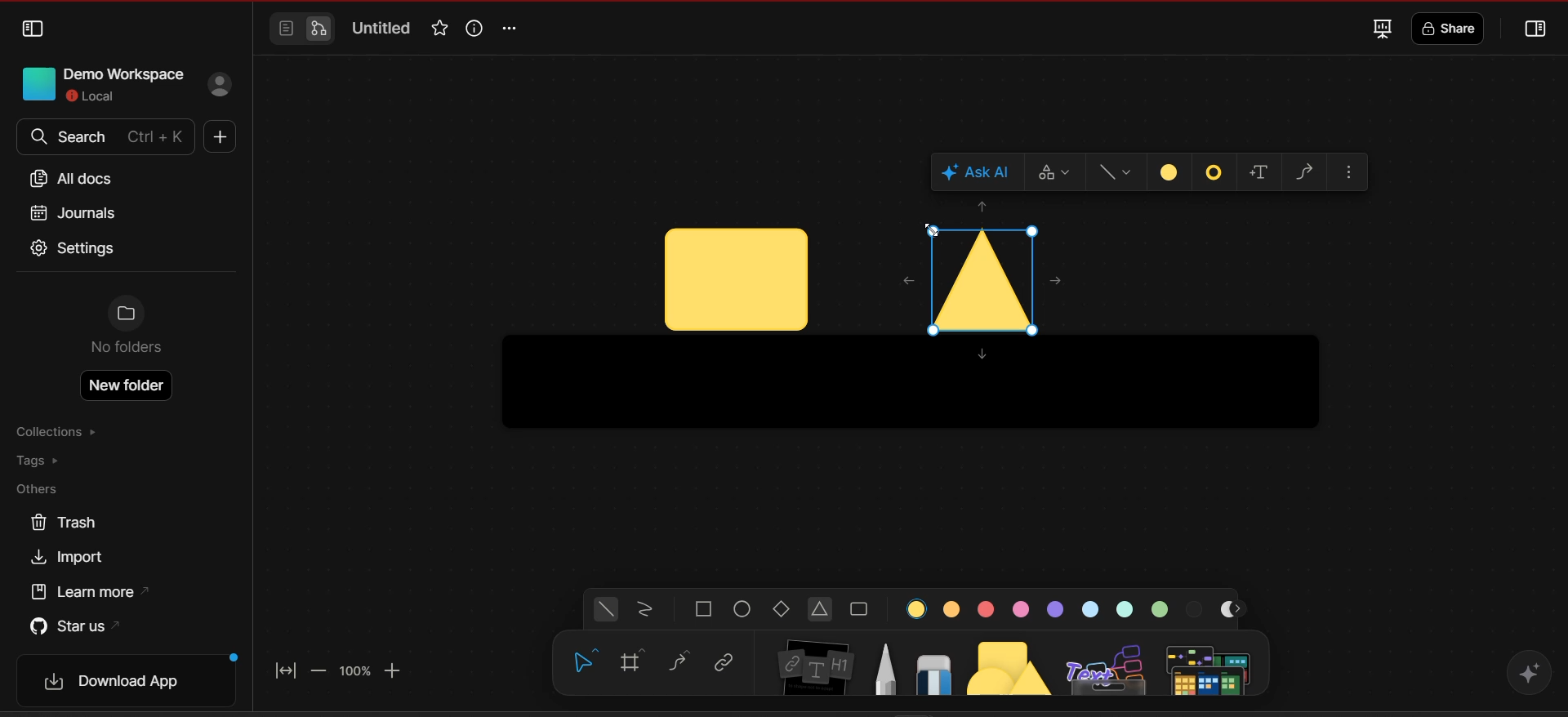 The width and height of the screenshot is (1568, 717). What do you see at coordinates (901, 278) in the screenshot?
I see `move left` at bounding box center [901, 278].